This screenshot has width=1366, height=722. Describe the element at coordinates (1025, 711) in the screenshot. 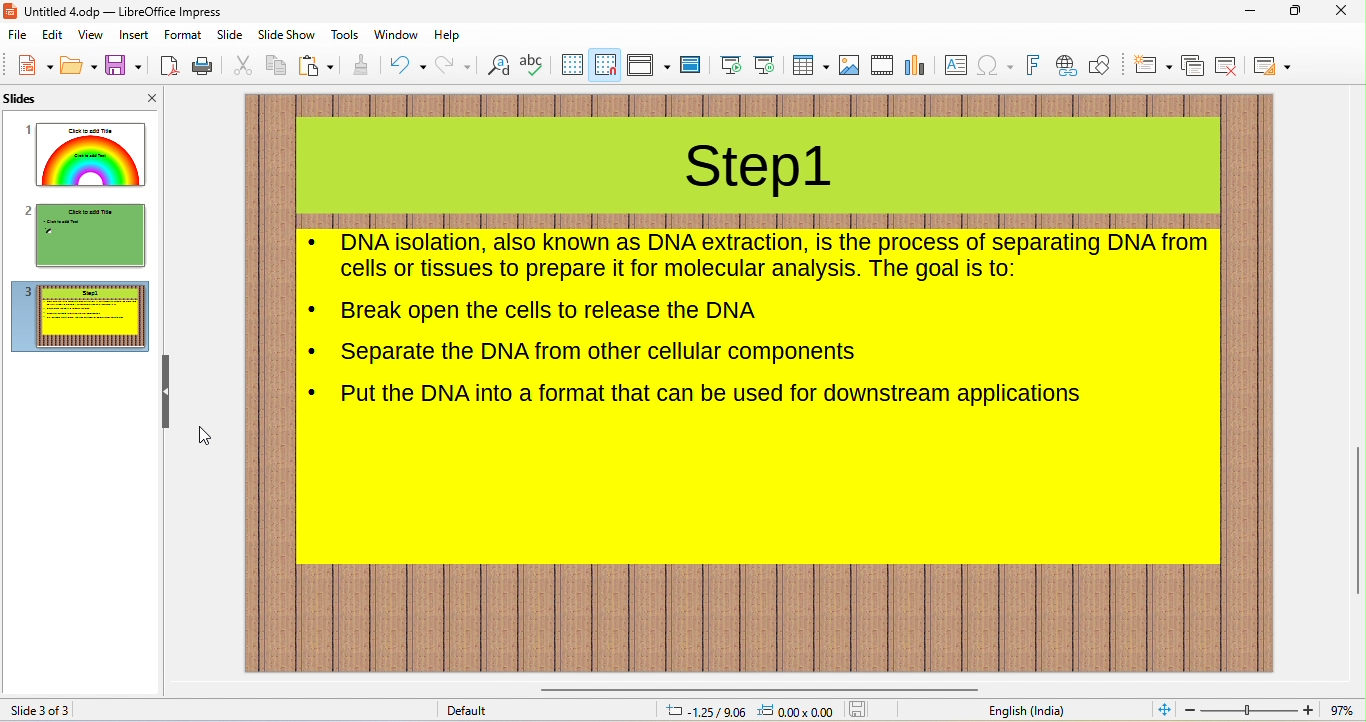

I see `english` at that location.